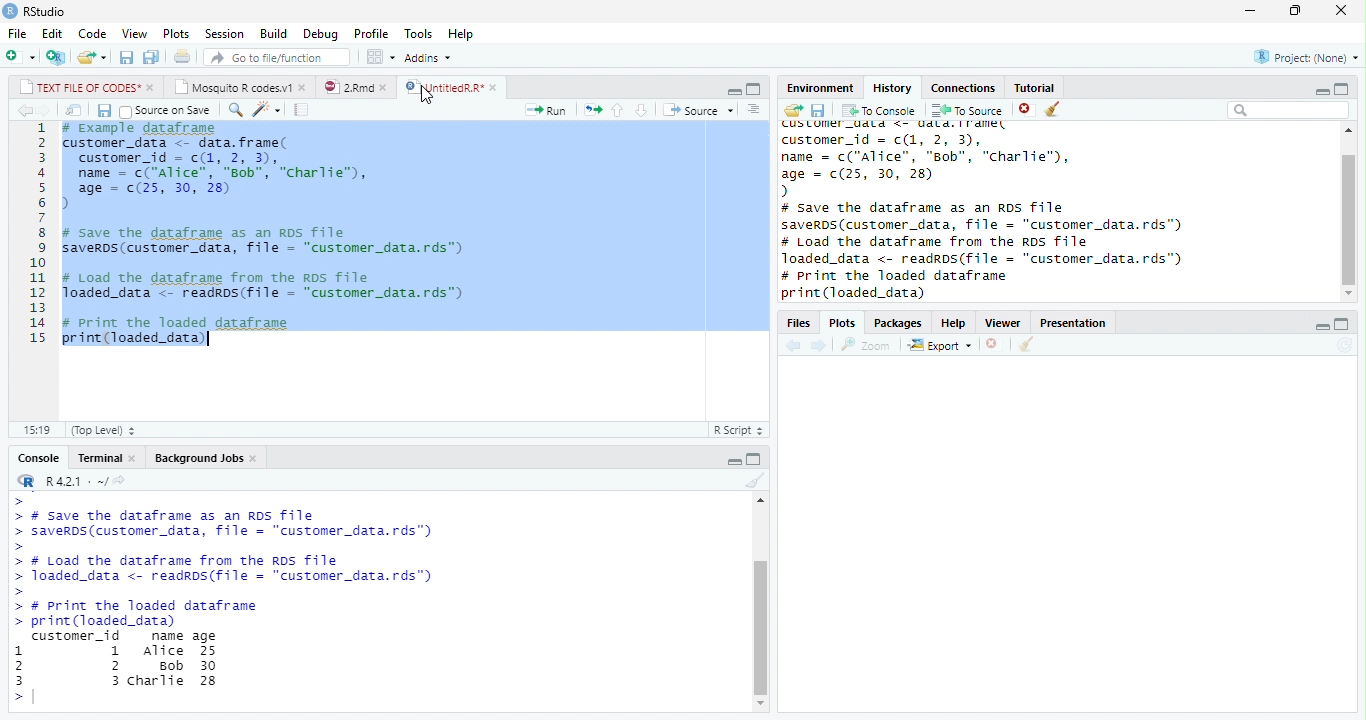  What do you see at coordinates (740, 429) in the screenshot?
I see `R Script` at bounding box center [740, 429].